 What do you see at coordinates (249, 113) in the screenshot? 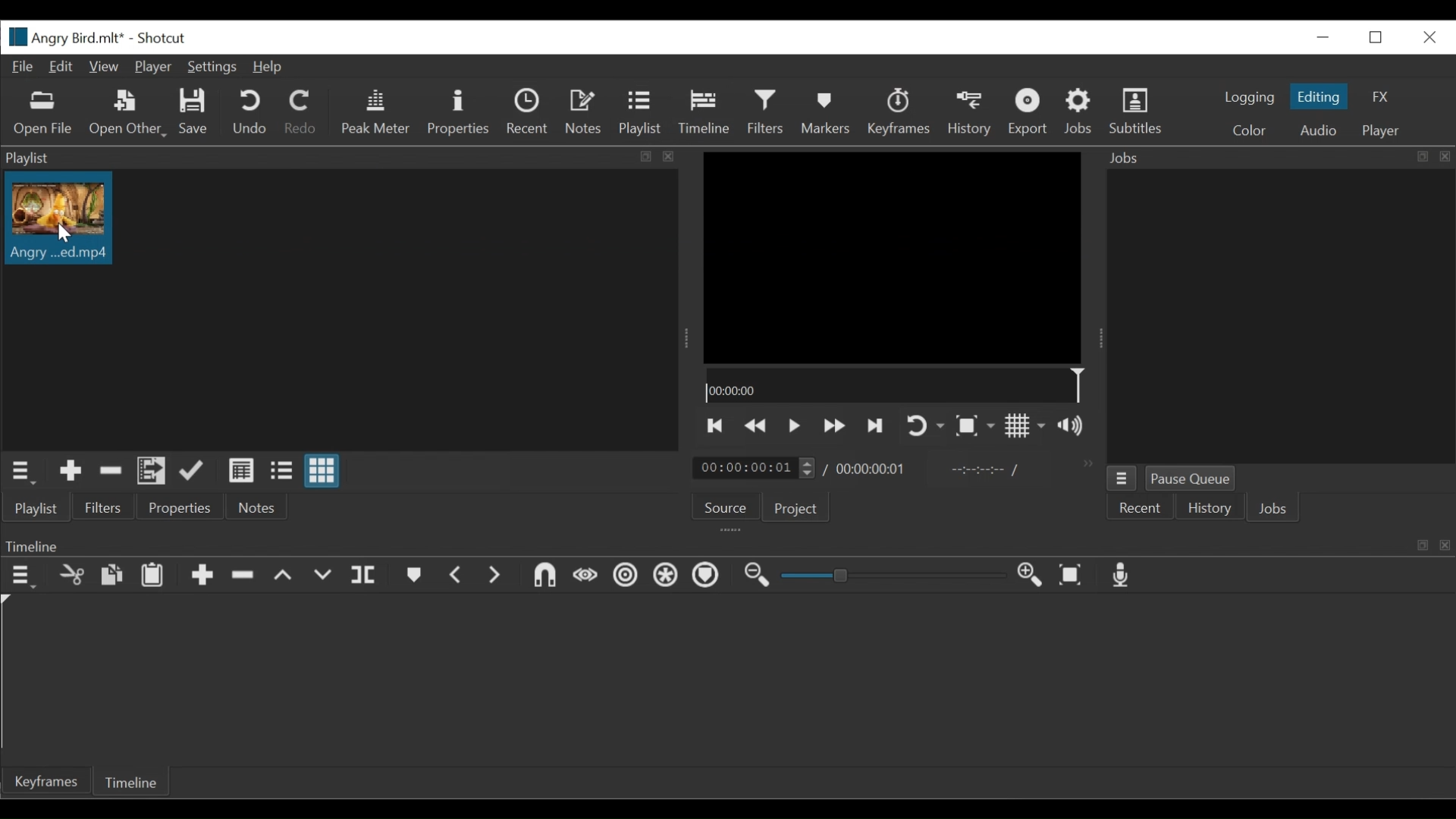
I see `Undo` at bounding box center [249, 113].